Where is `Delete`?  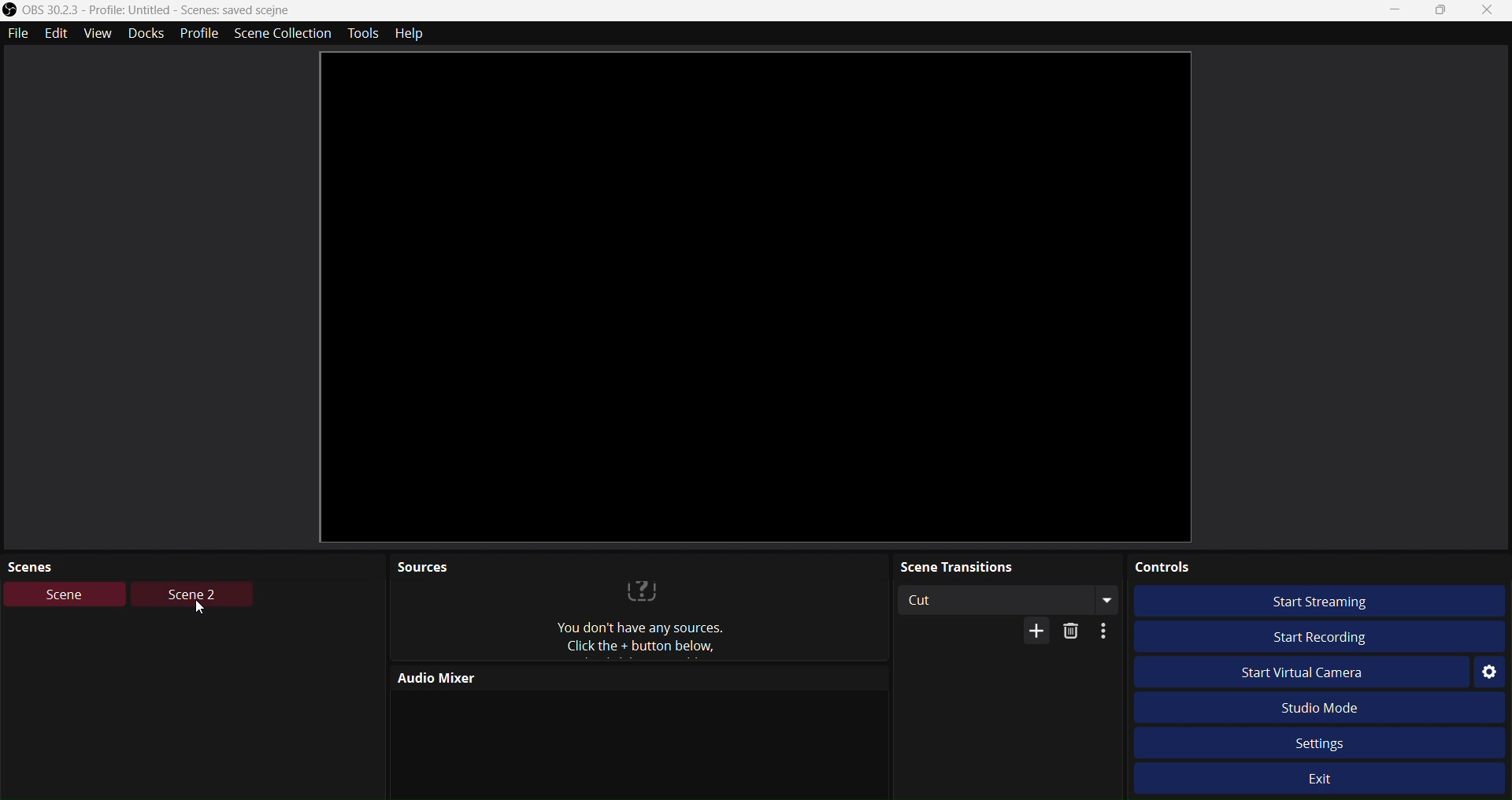
Delete is located at coordinates (1073, 632).